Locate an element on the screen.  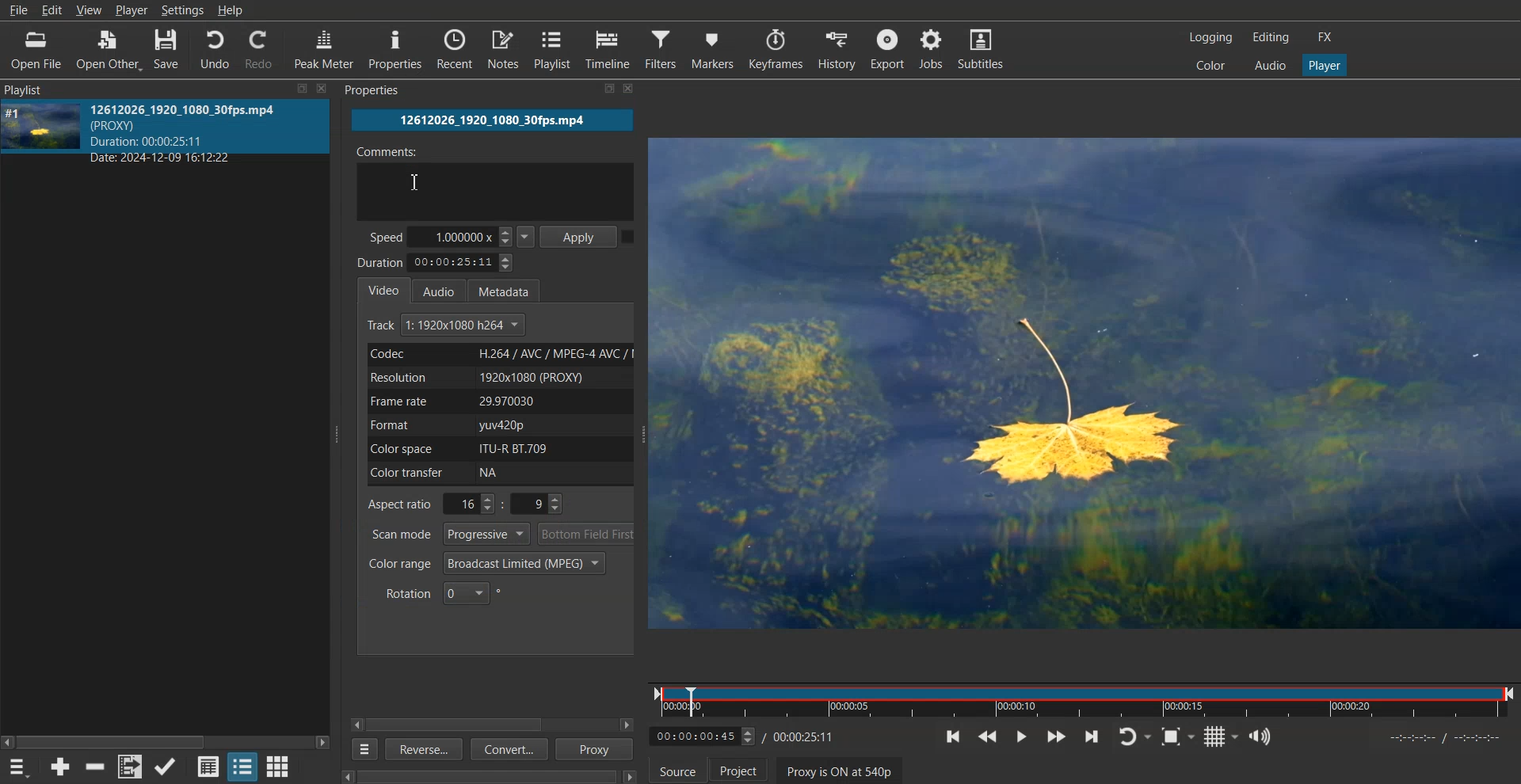
Properties Panel is located at coordinates (374, 92).